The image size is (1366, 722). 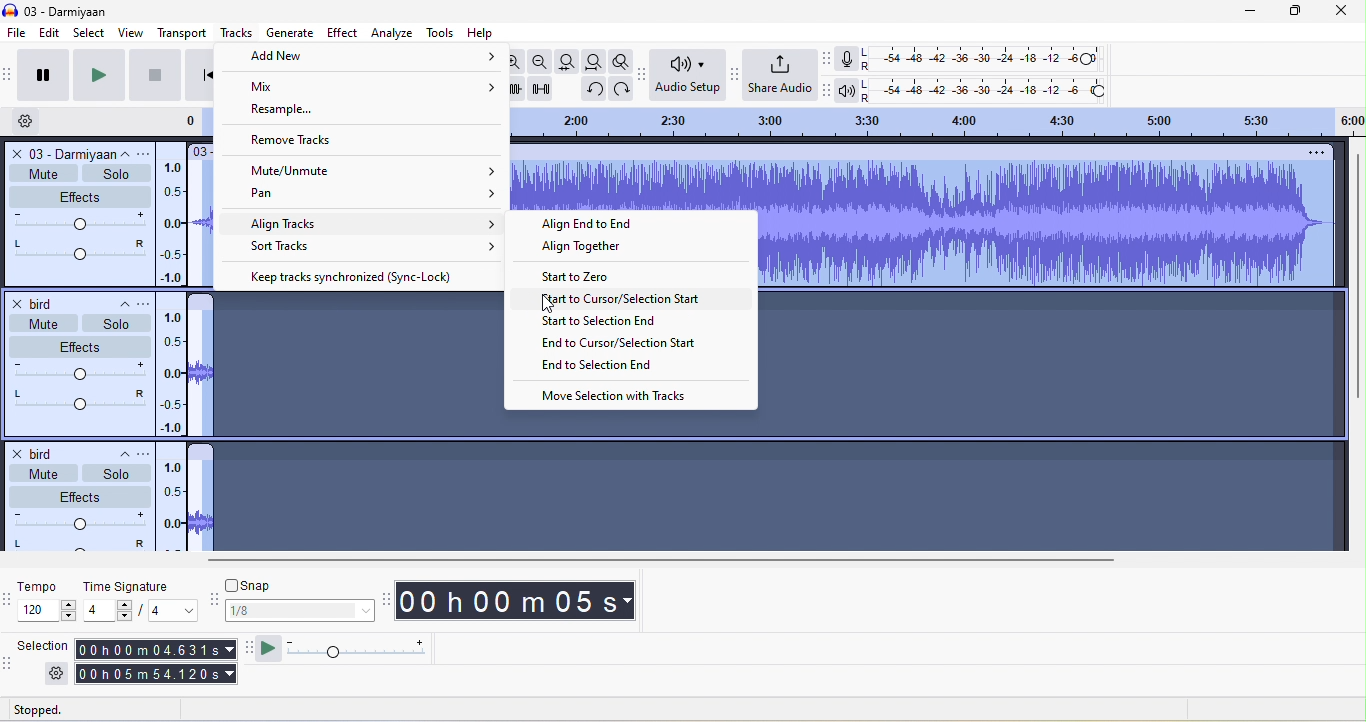 What do you see at coordinates (1238, 11) in the screenshot?
I see `minimize` at bounding box center [1238, 11].